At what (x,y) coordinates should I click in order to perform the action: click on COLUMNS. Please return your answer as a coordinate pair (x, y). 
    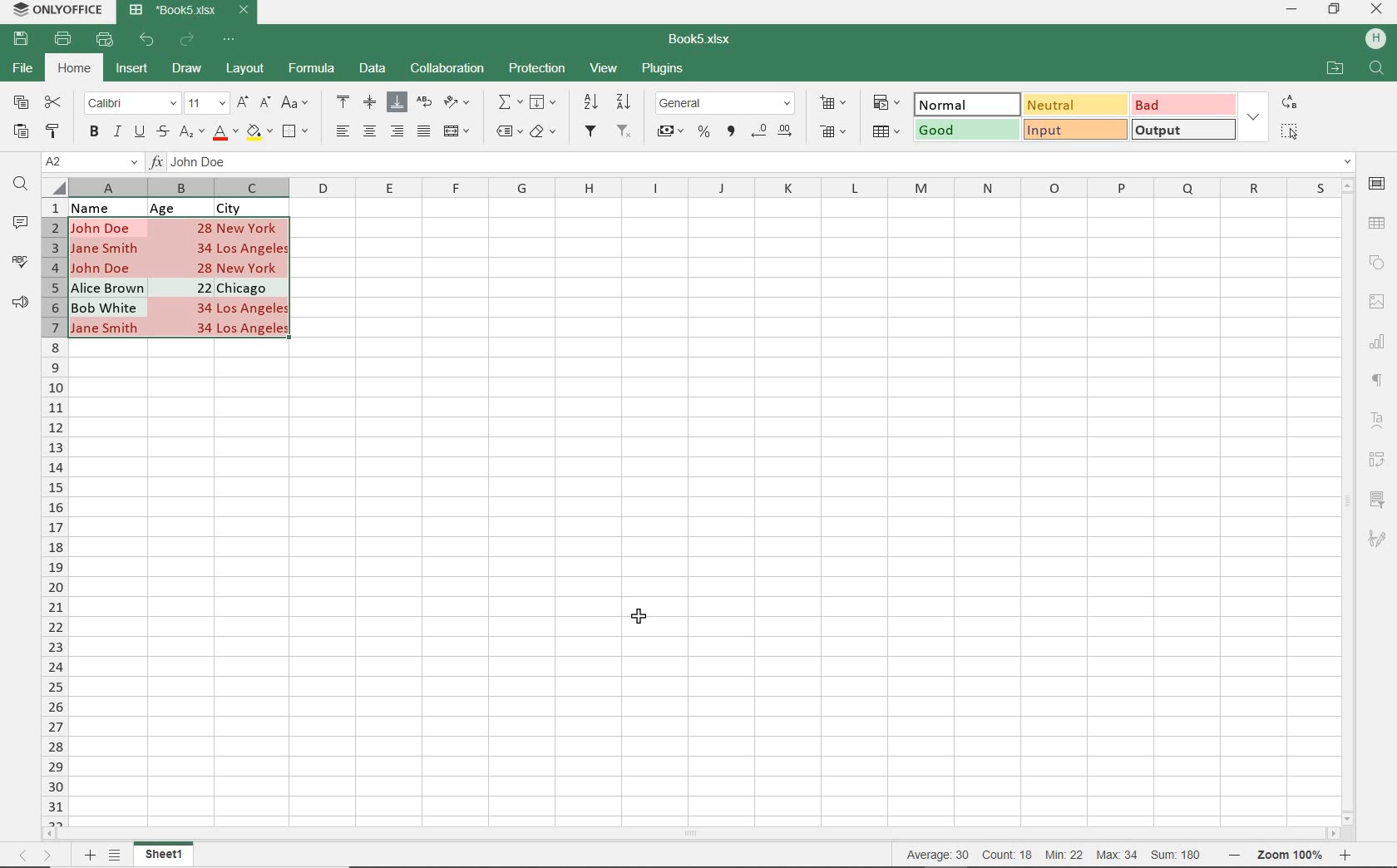
    Looking at the image, I should click on (701, 187).